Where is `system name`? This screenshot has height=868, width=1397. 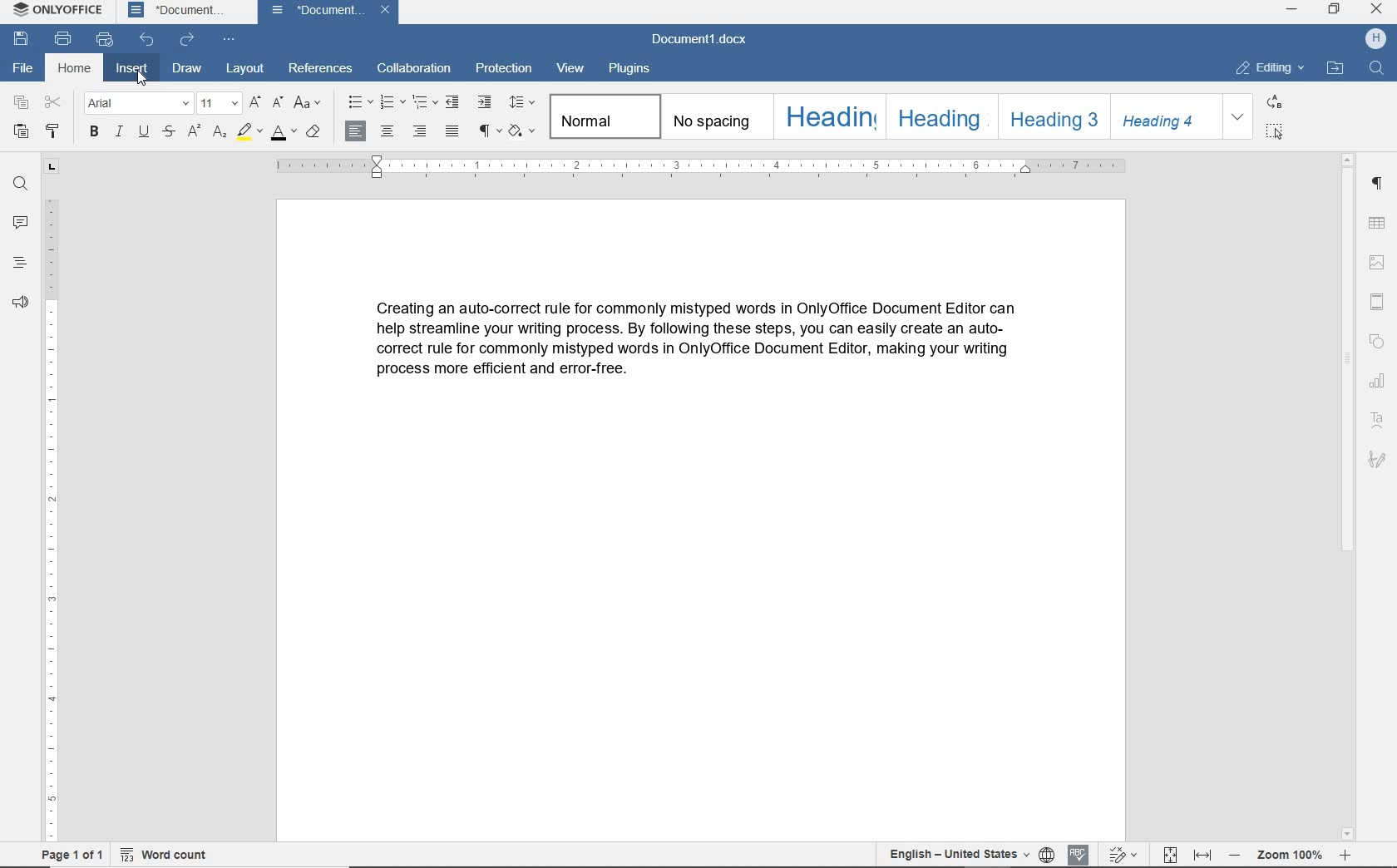
system name is located at coordinates (55, 11).